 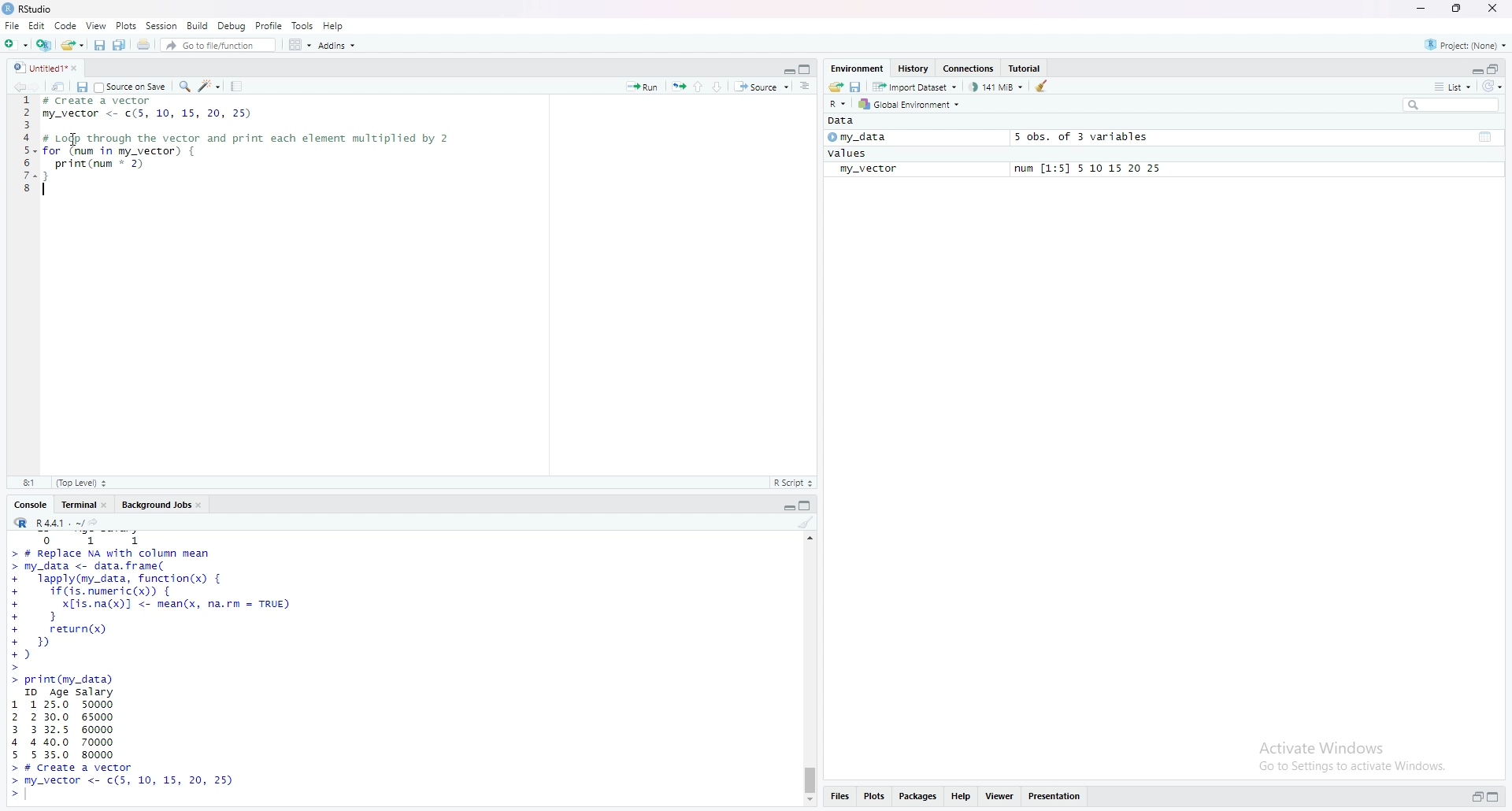 I want to click on Environment, so click(x=858, y=69).